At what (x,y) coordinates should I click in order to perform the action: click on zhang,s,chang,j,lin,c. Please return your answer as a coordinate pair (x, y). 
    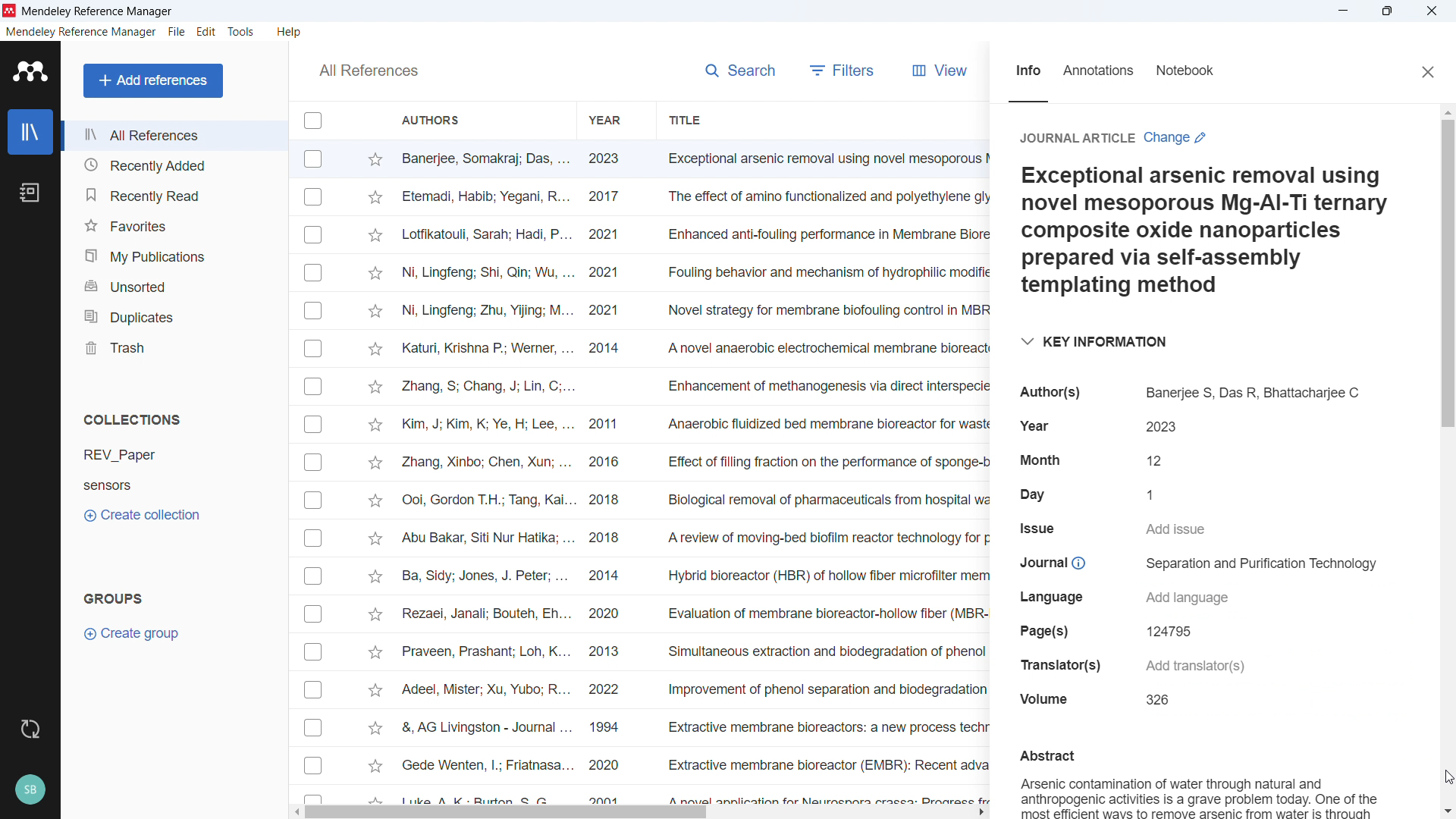
    Looking at the image, I should click on (488, 386).